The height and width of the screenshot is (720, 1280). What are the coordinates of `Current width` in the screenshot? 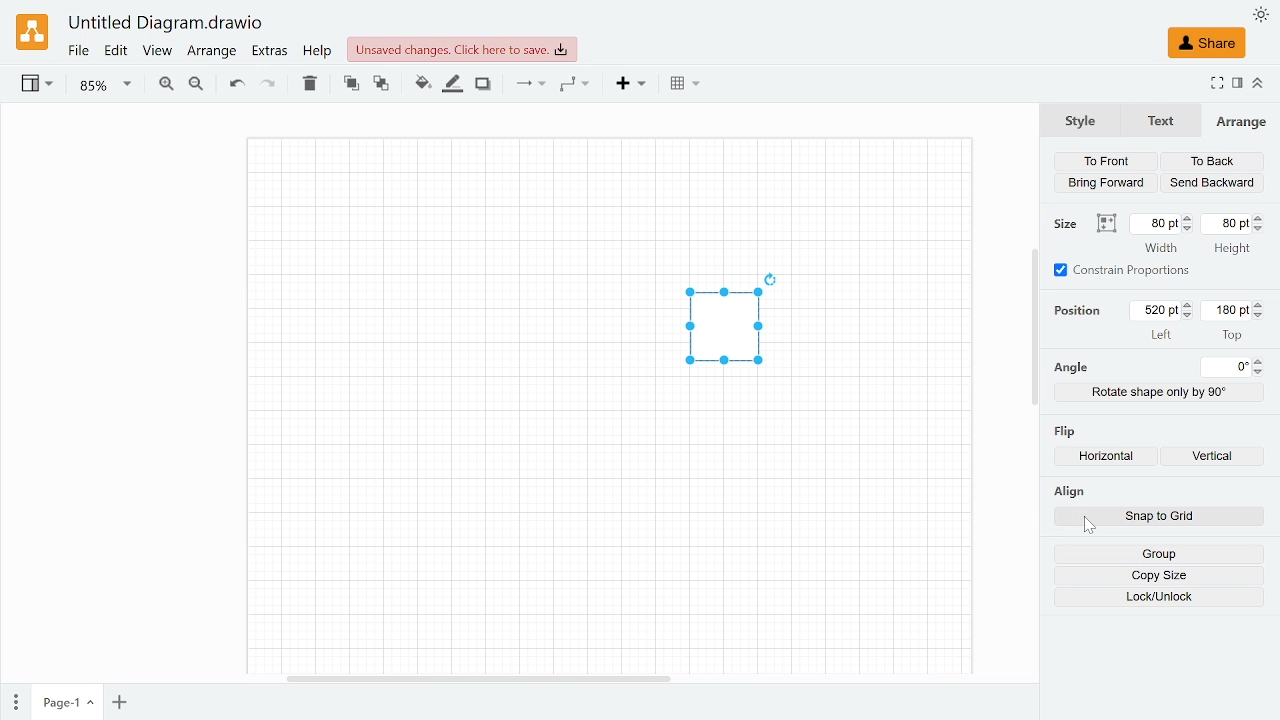 It's located at (1155, 223).